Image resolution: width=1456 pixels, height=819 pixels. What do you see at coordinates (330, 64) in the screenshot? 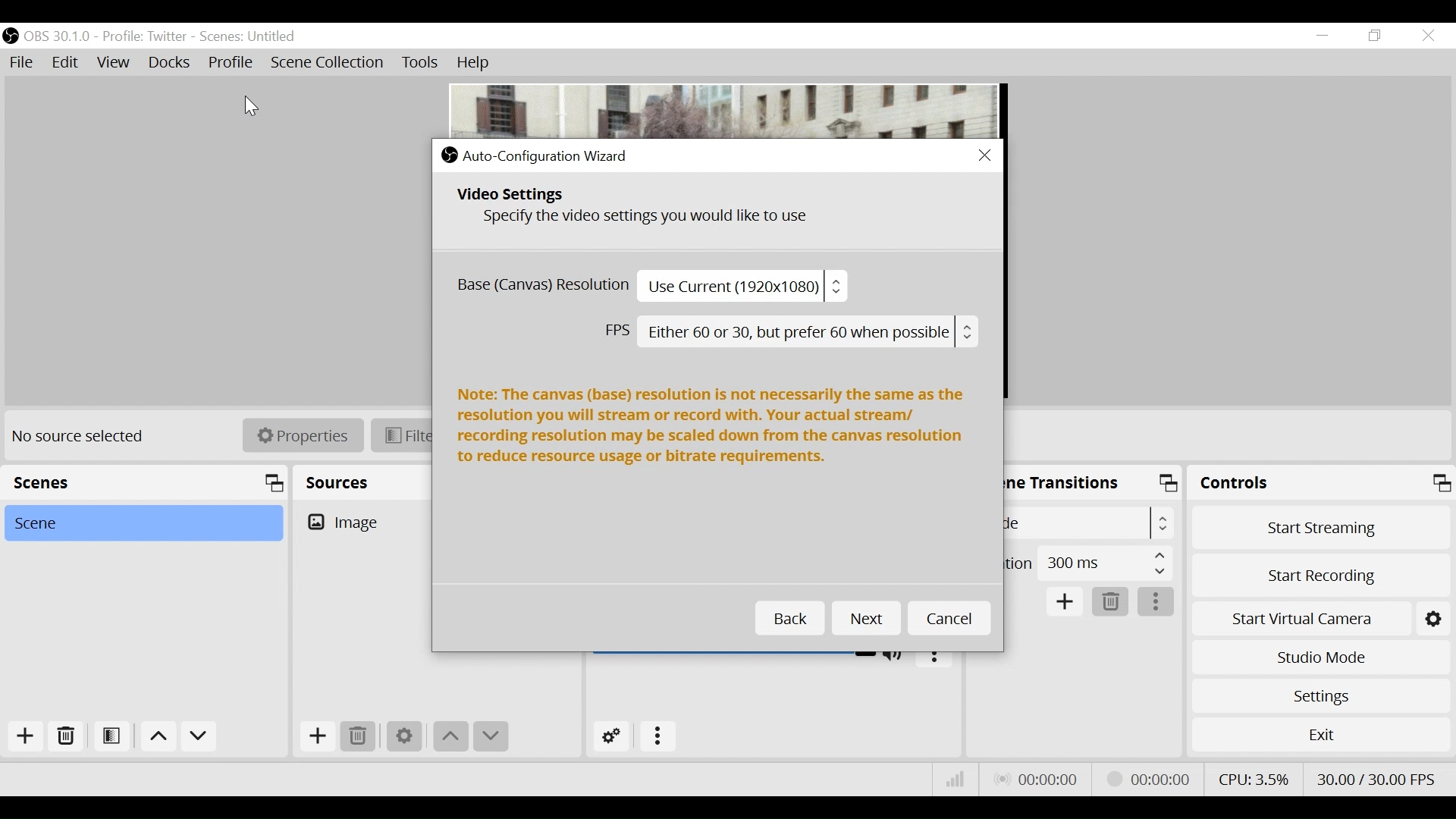
I see `Scene Collection` at bounding box center [330, 64].